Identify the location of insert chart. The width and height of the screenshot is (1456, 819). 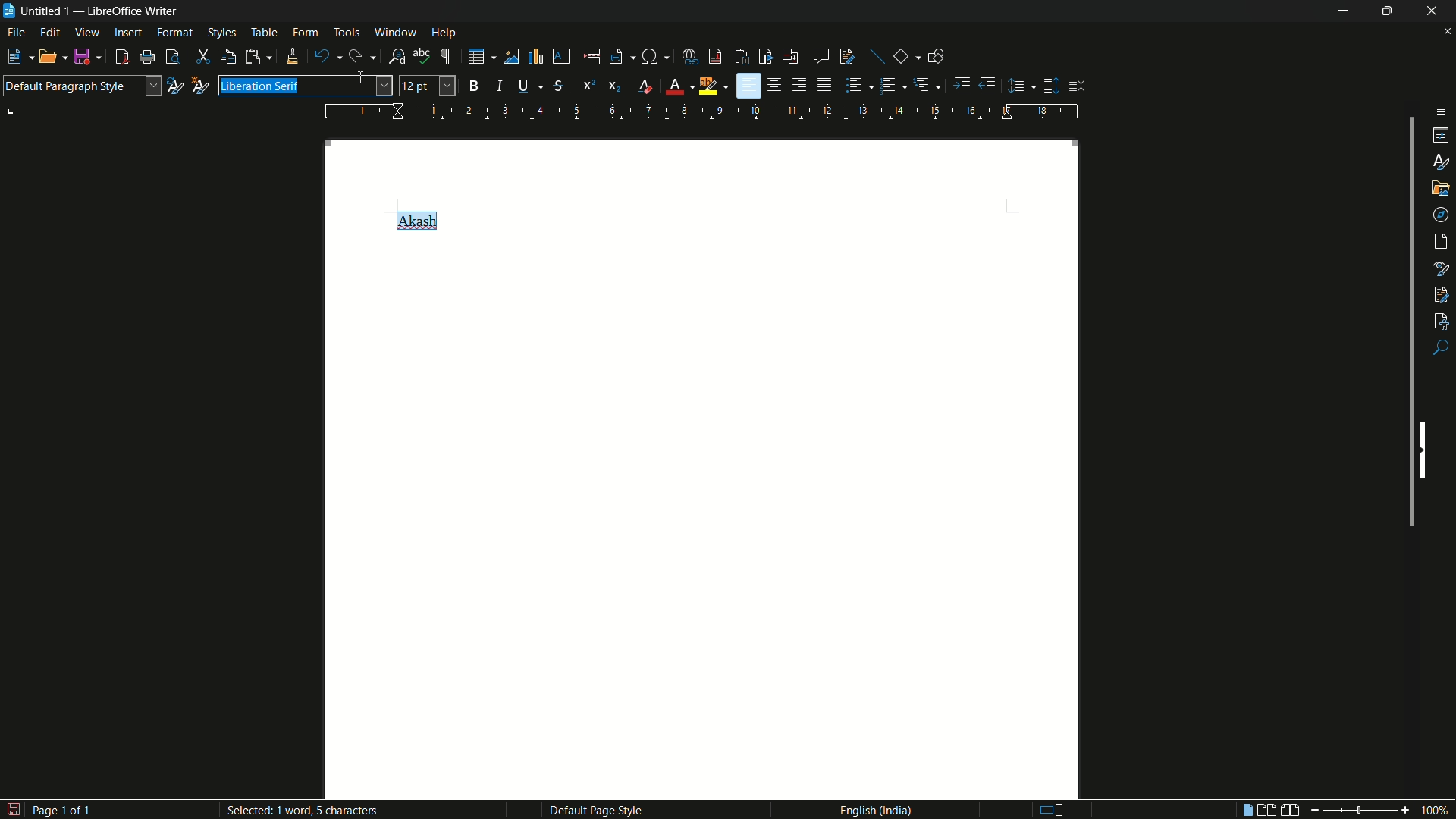
(535, 55).